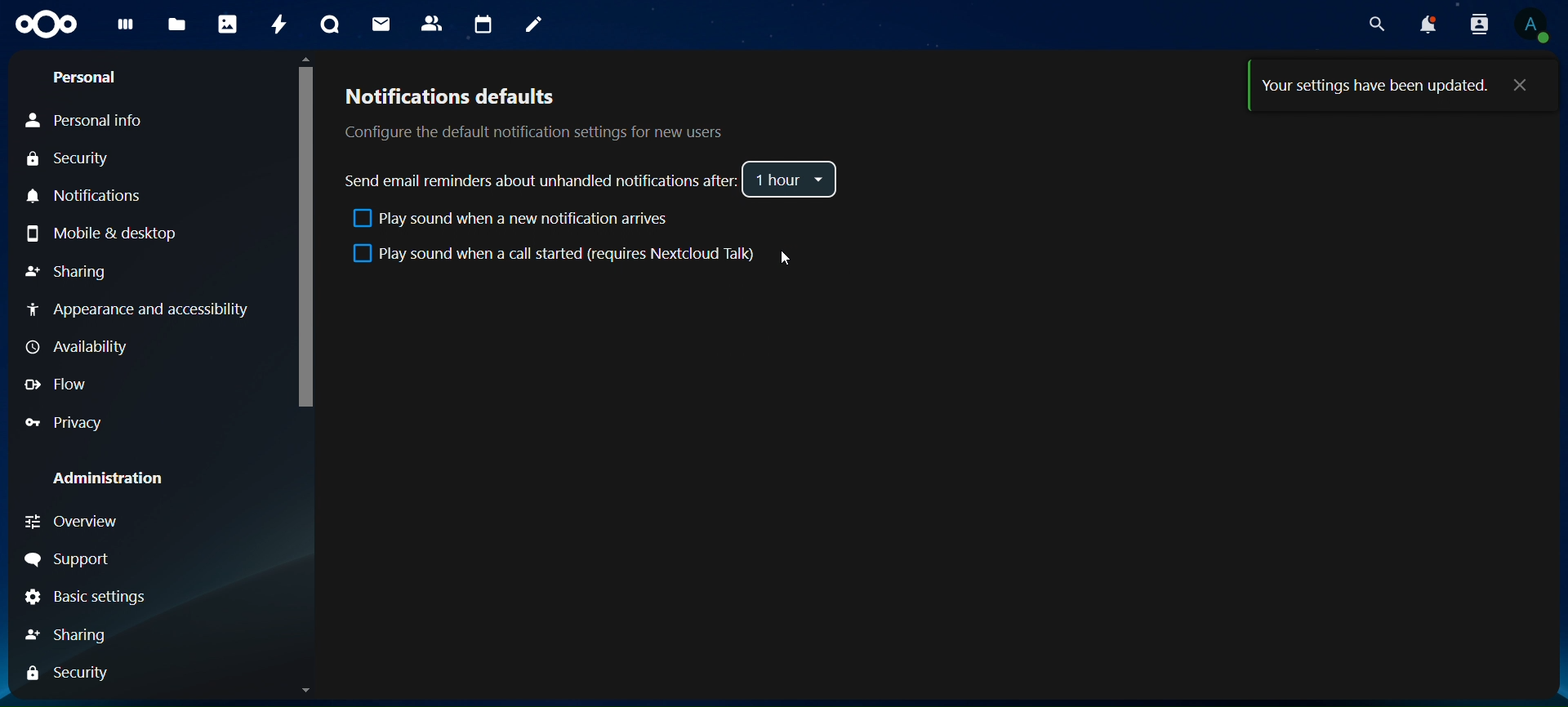  What do you see at coordinates (1536, 26) in the screenshot?
I see `View Profile` at bounding box center [1536, 26].